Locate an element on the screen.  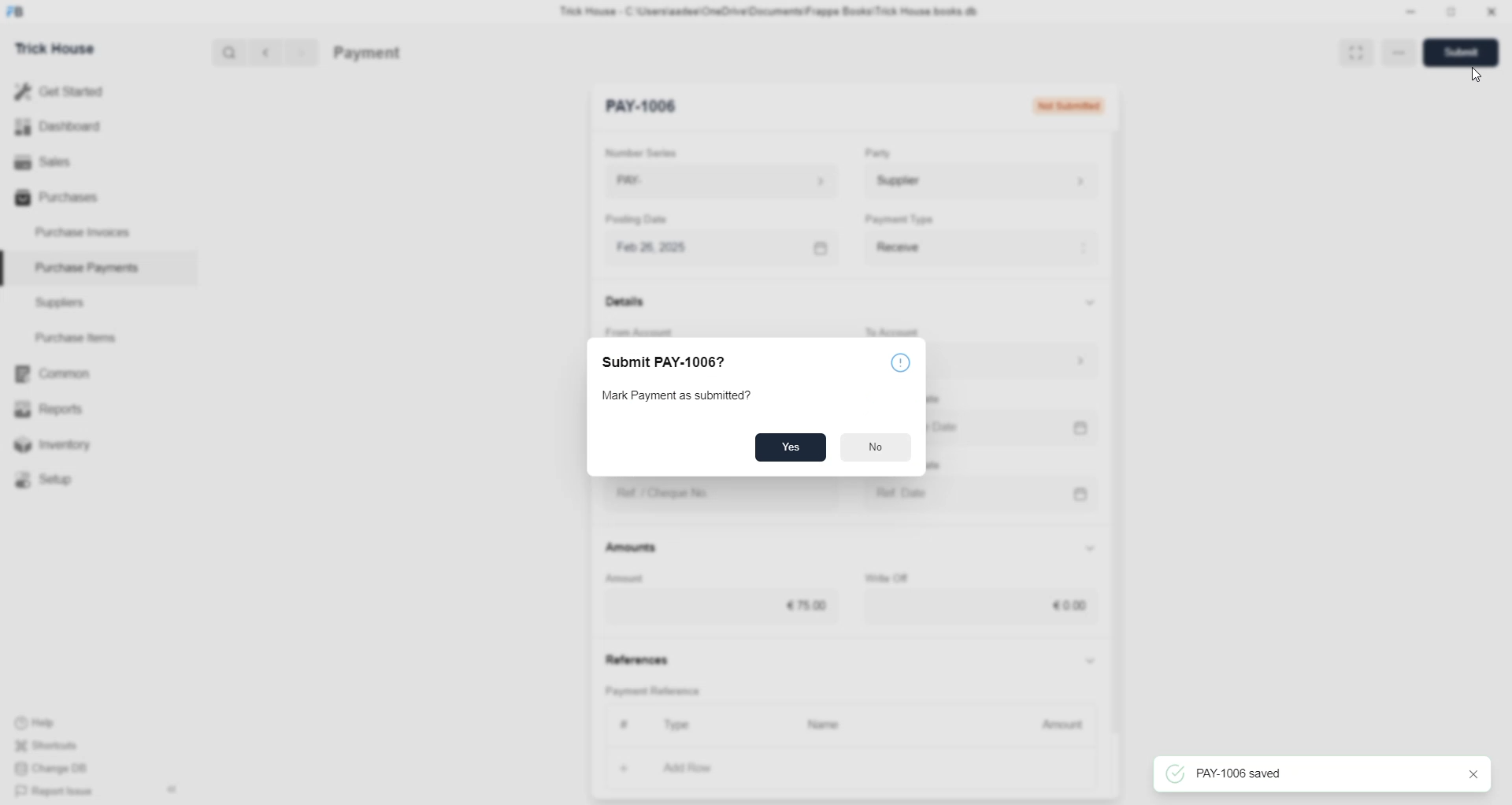
icon is located at coordinates (906, 361).